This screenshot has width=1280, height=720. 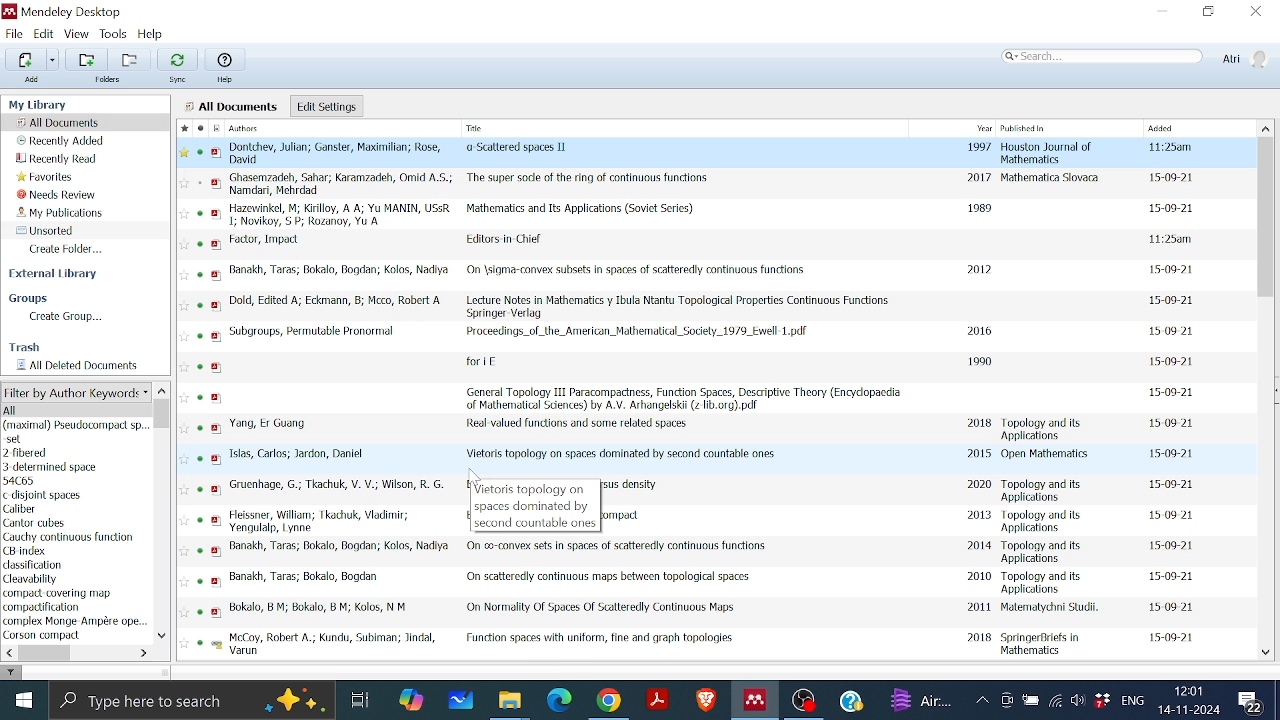 What do you see at coordinates (1042, 490) in the screenshot?
I see `Published in` at bounding box center [1042, 490].